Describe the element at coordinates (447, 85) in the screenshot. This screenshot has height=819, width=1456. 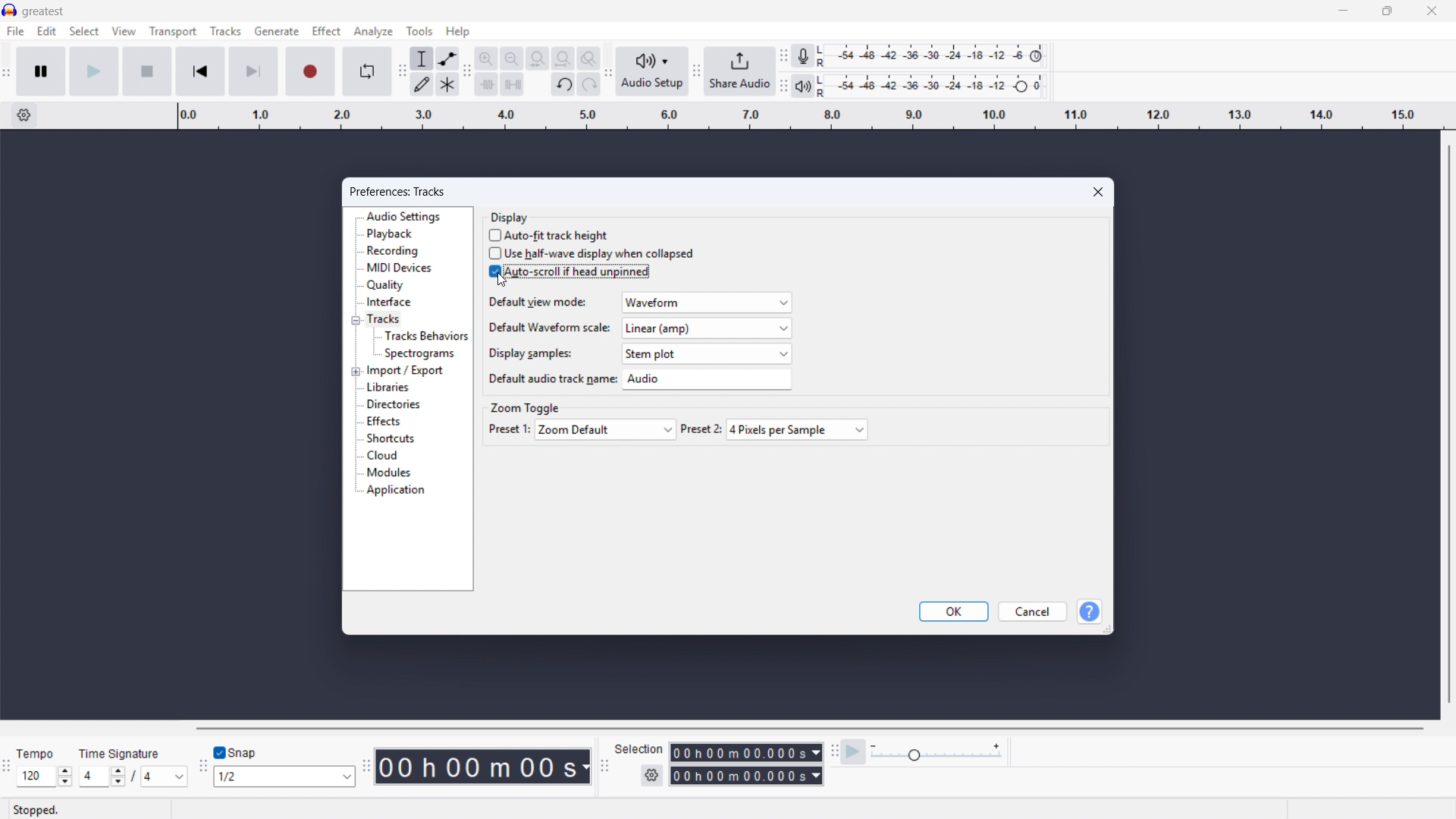
I see `Multi tool ` at that location.